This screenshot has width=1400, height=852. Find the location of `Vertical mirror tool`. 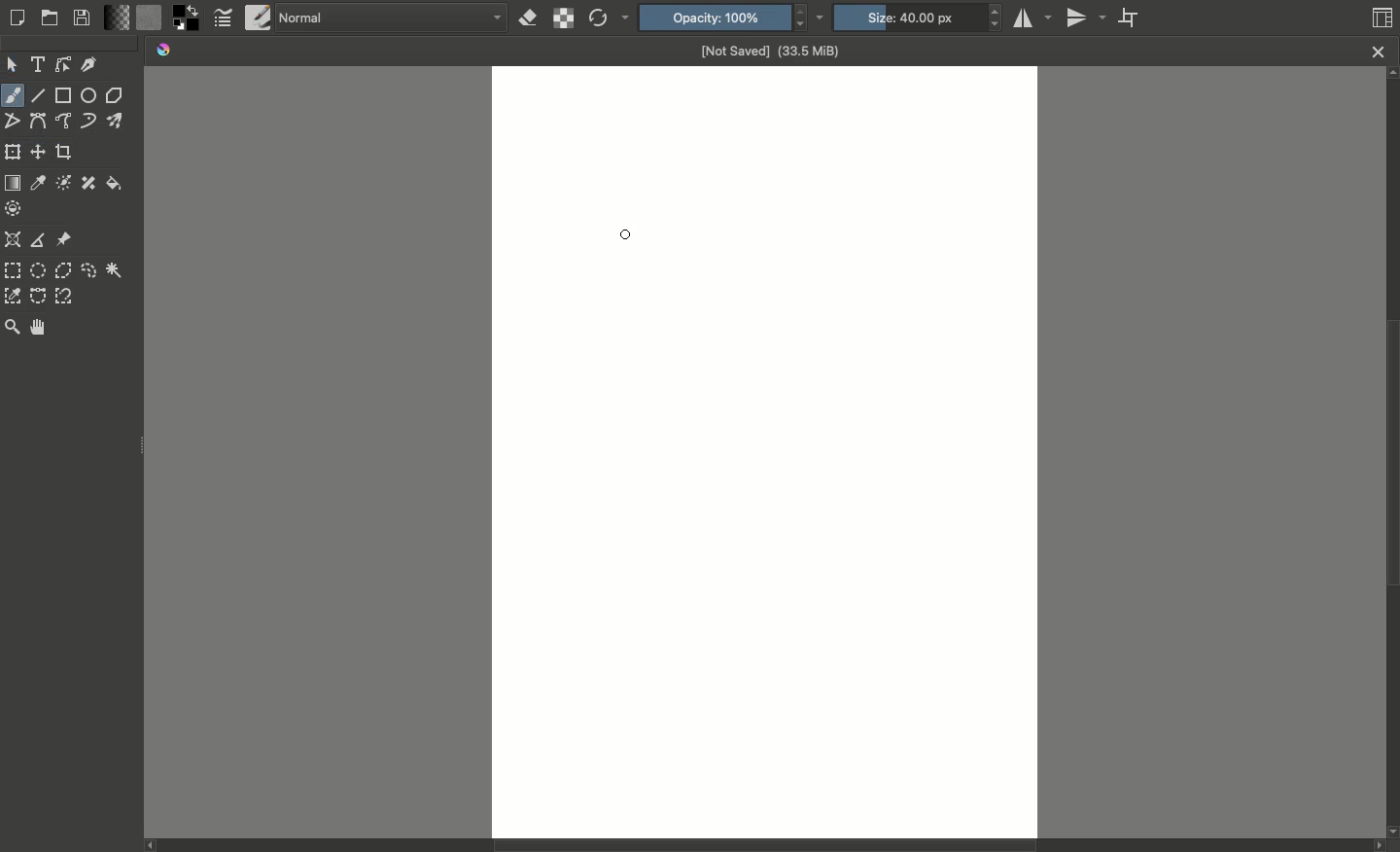

Vertical mirror tool is located at coordinates (1089, 17).